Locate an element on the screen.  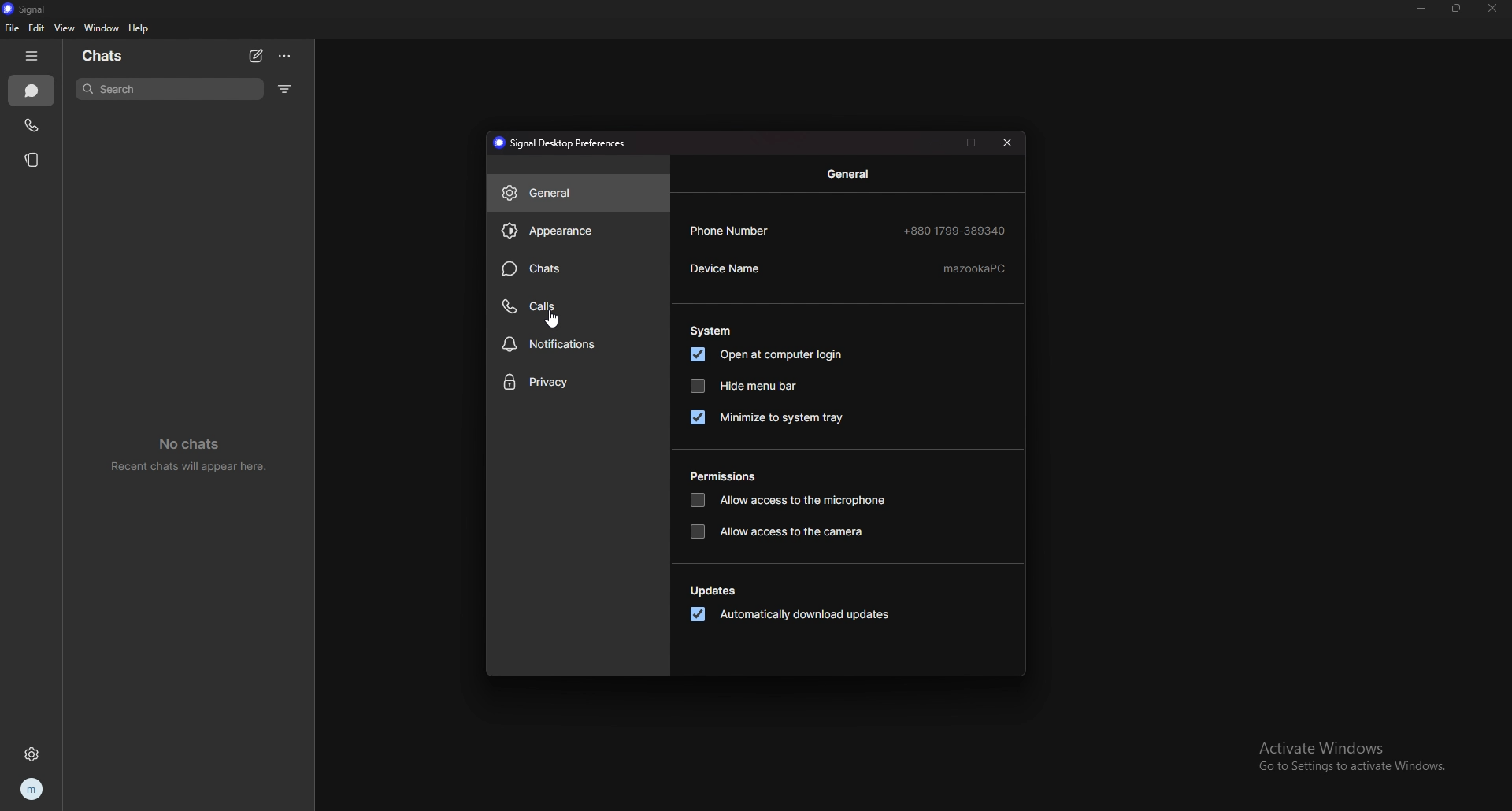
open at computer login is located at coordinates (767, 355).